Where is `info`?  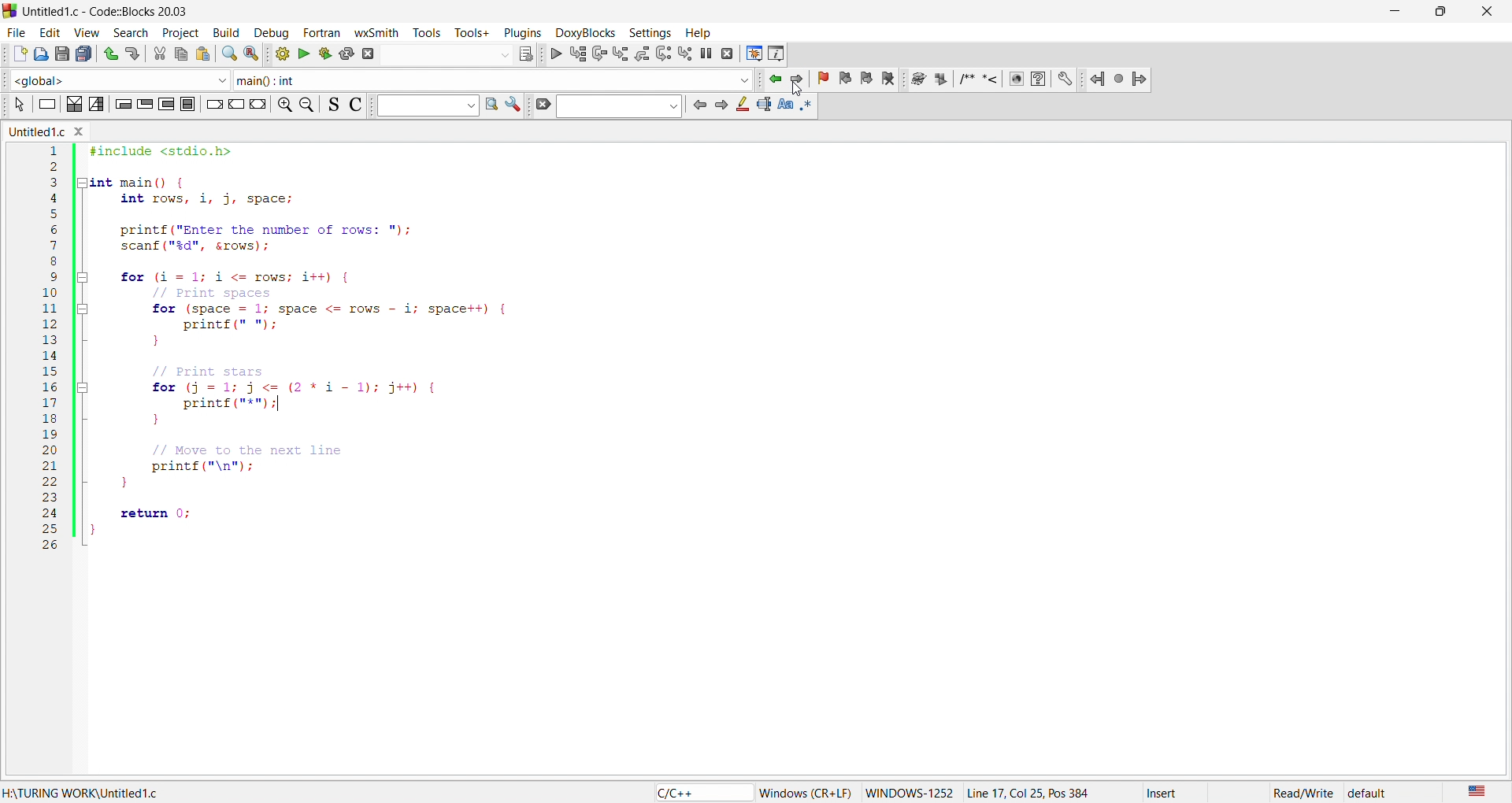 info is located at coordinates (774, 54).